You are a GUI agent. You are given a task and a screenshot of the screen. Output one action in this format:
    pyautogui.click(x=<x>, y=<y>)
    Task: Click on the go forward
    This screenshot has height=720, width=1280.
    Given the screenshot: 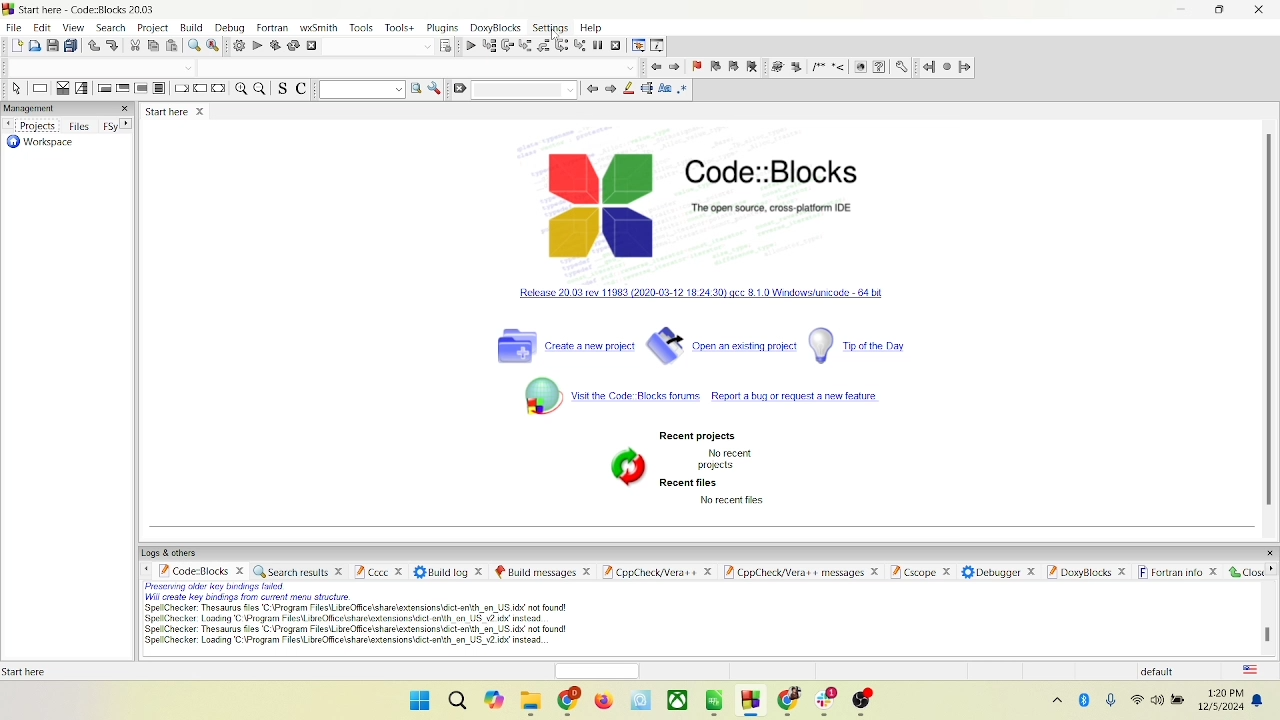 What is the action you would take?
    pyautogui.click(x=611, y=89)
    